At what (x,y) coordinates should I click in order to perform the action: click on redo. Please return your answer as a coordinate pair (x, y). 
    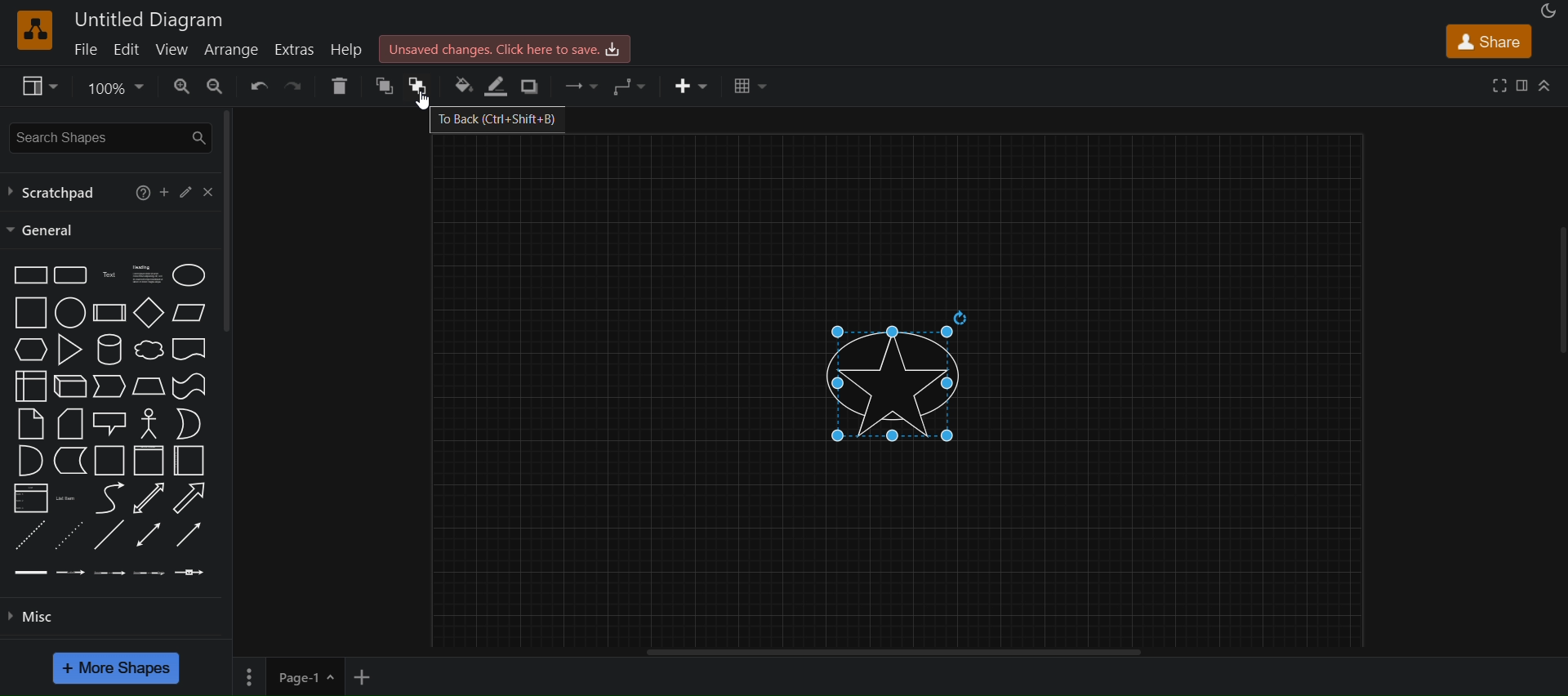
    Looking at the image, I should click on (297, 86).